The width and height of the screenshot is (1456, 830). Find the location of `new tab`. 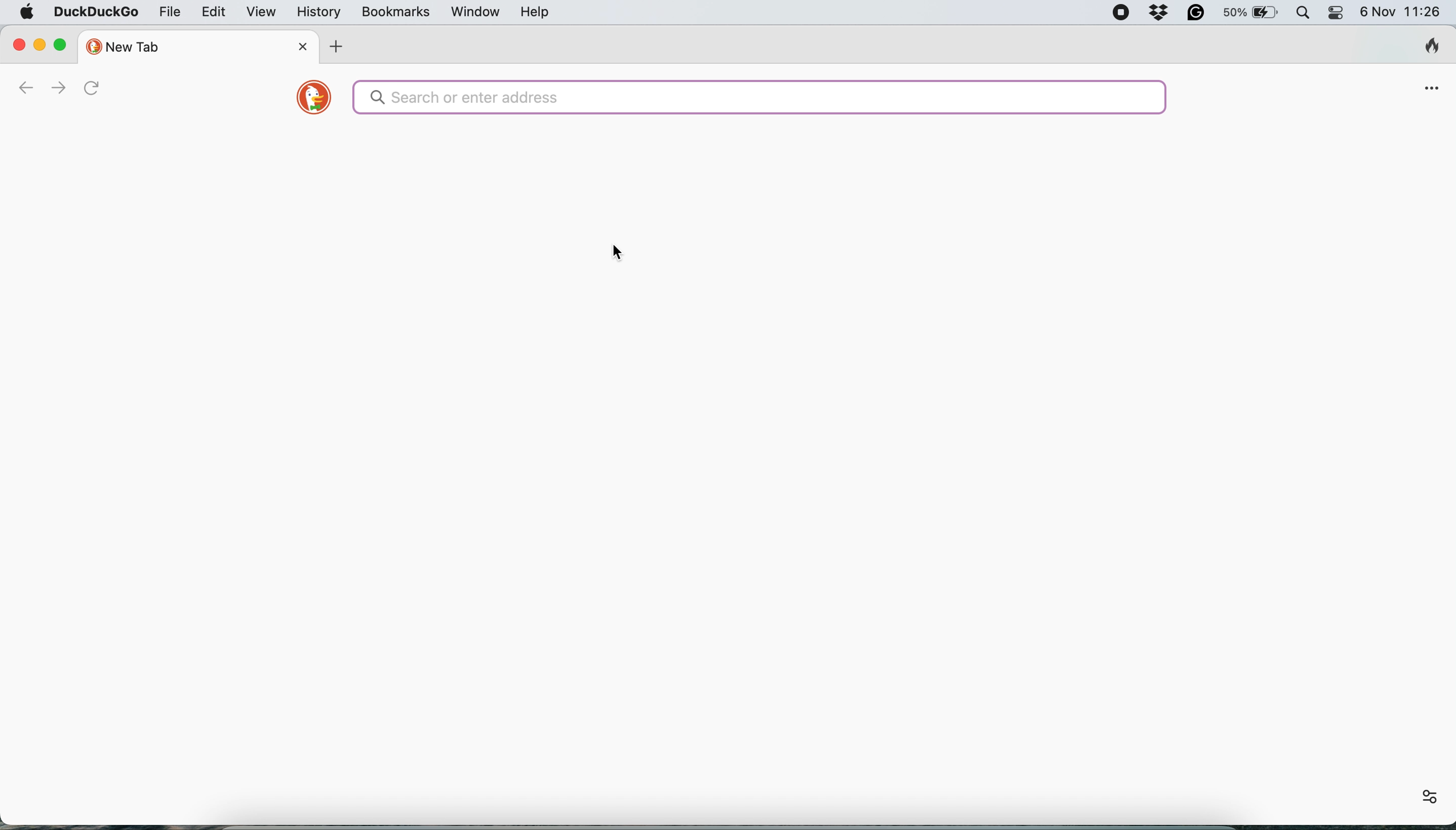

new tab is located at coordinates (335, 44).